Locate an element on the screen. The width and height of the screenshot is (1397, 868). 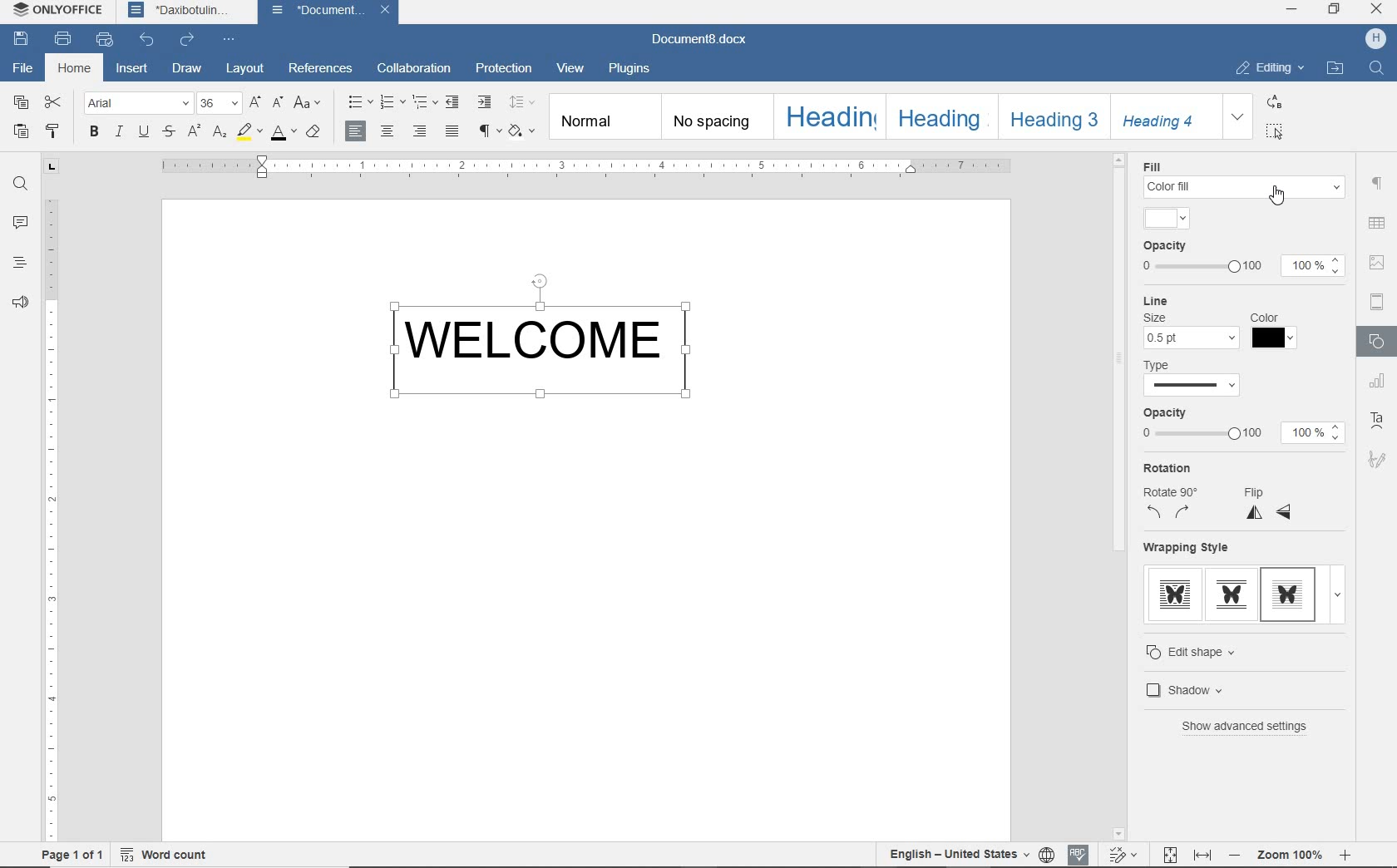
EDITING is located at coordinates (1266, 68).